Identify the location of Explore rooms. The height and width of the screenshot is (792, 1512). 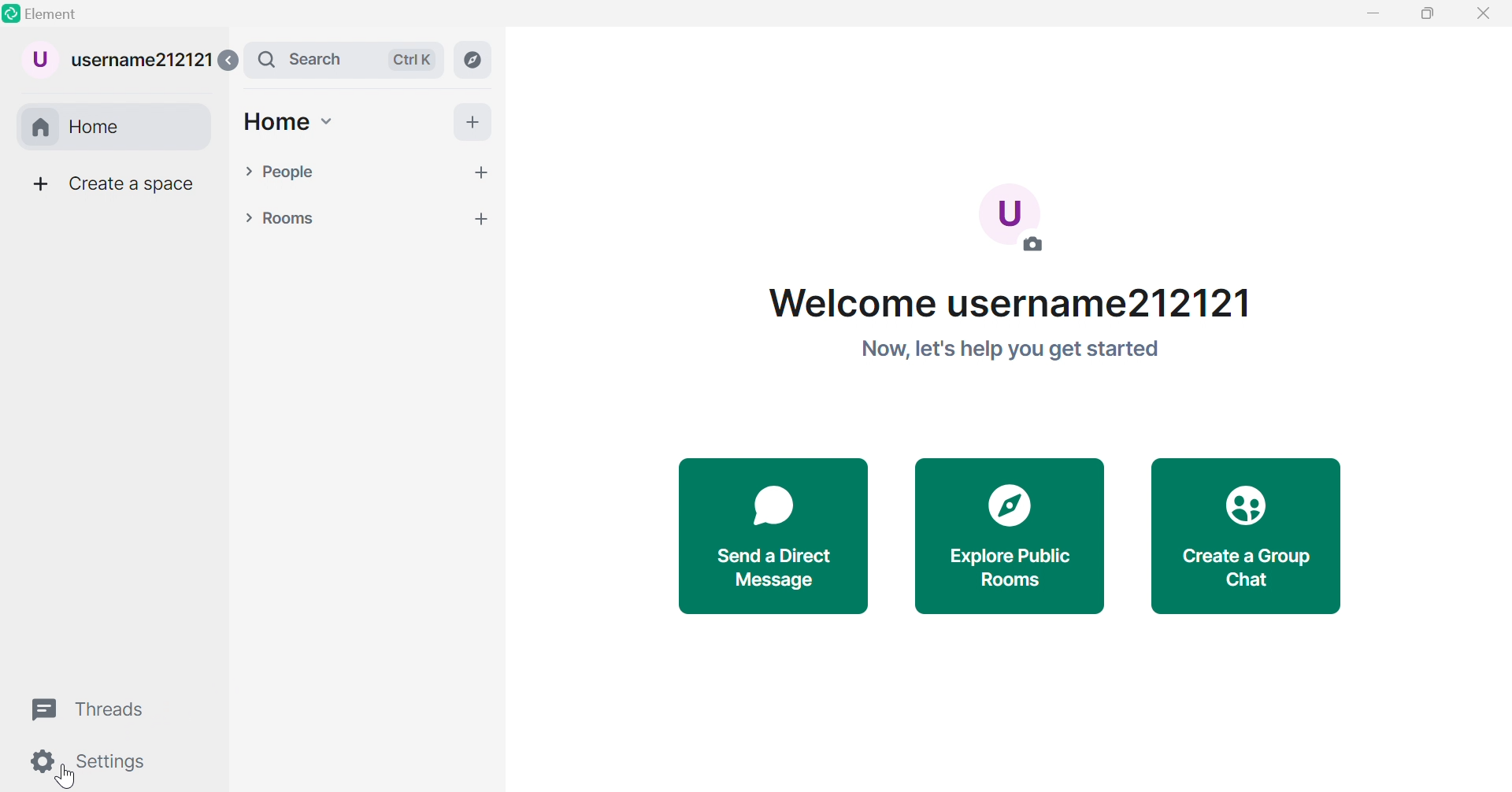
(474, 60).